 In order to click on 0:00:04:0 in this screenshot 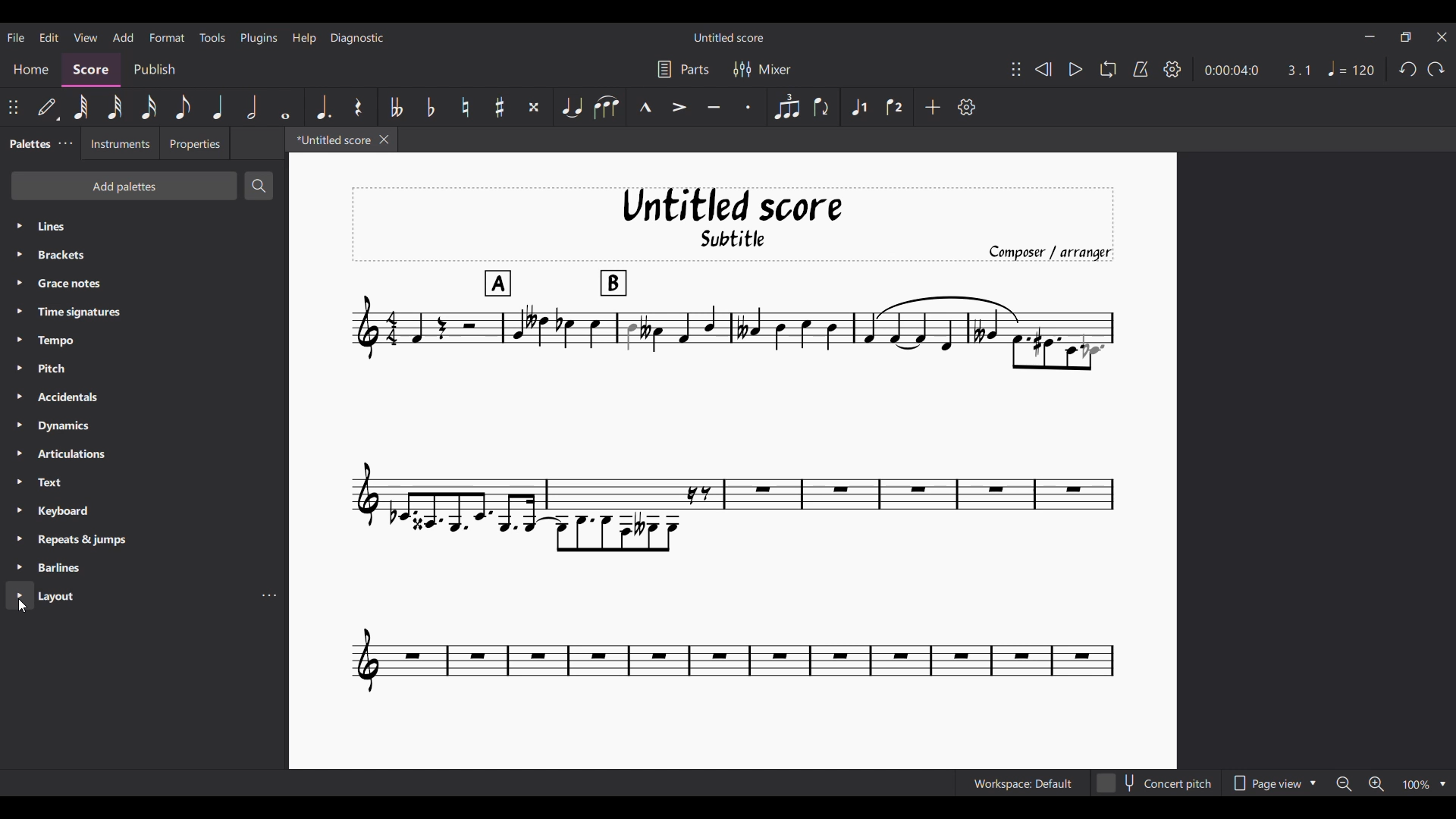, I will do `click(1232, 71)`.